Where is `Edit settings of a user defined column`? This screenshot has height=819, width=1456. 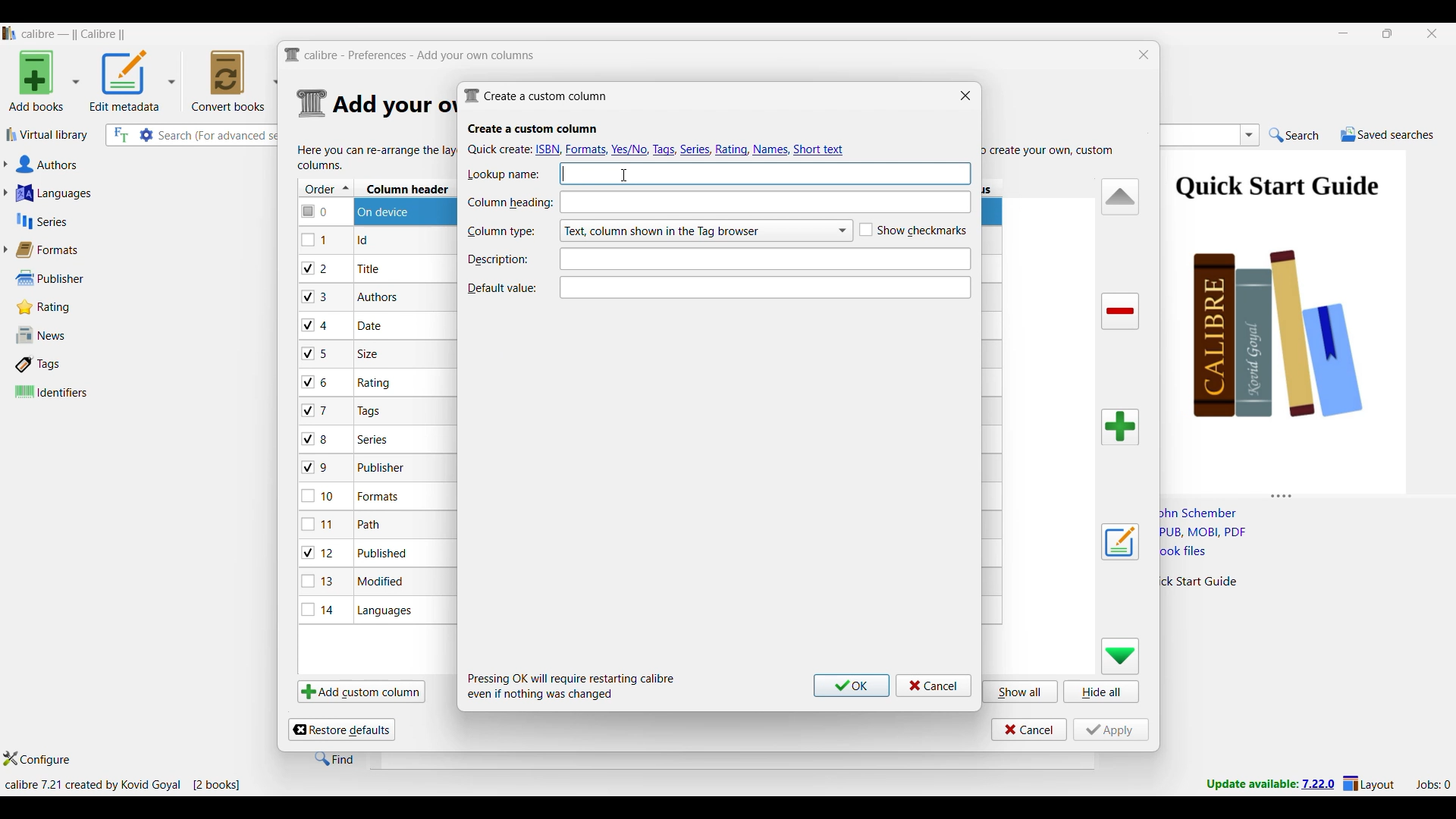
Edit settings of a user defined column is located at coordinates (1120, 542).